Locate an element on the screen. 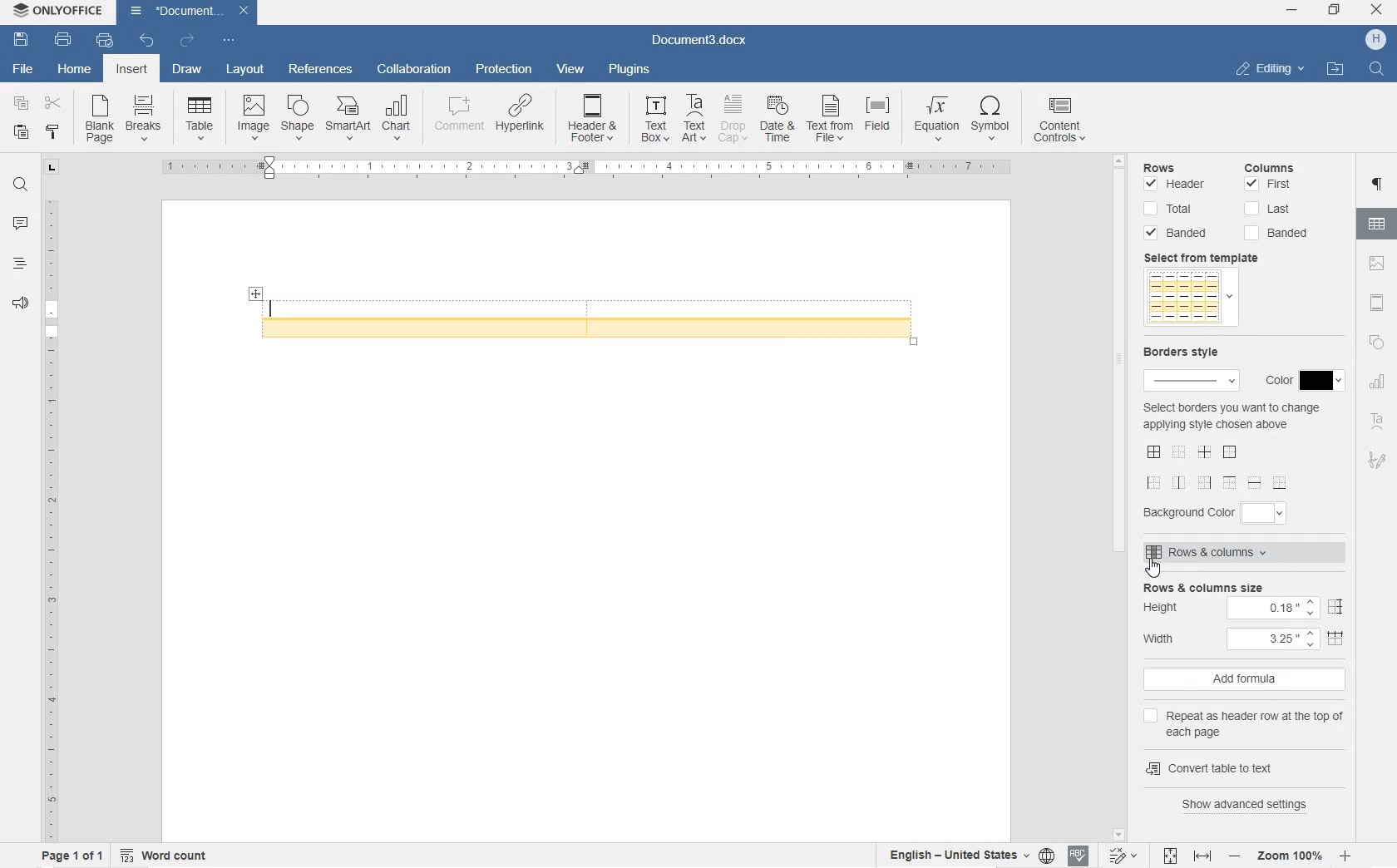 This screenshot has height=868, width=1397. First is located at coordinates (1270, 185).